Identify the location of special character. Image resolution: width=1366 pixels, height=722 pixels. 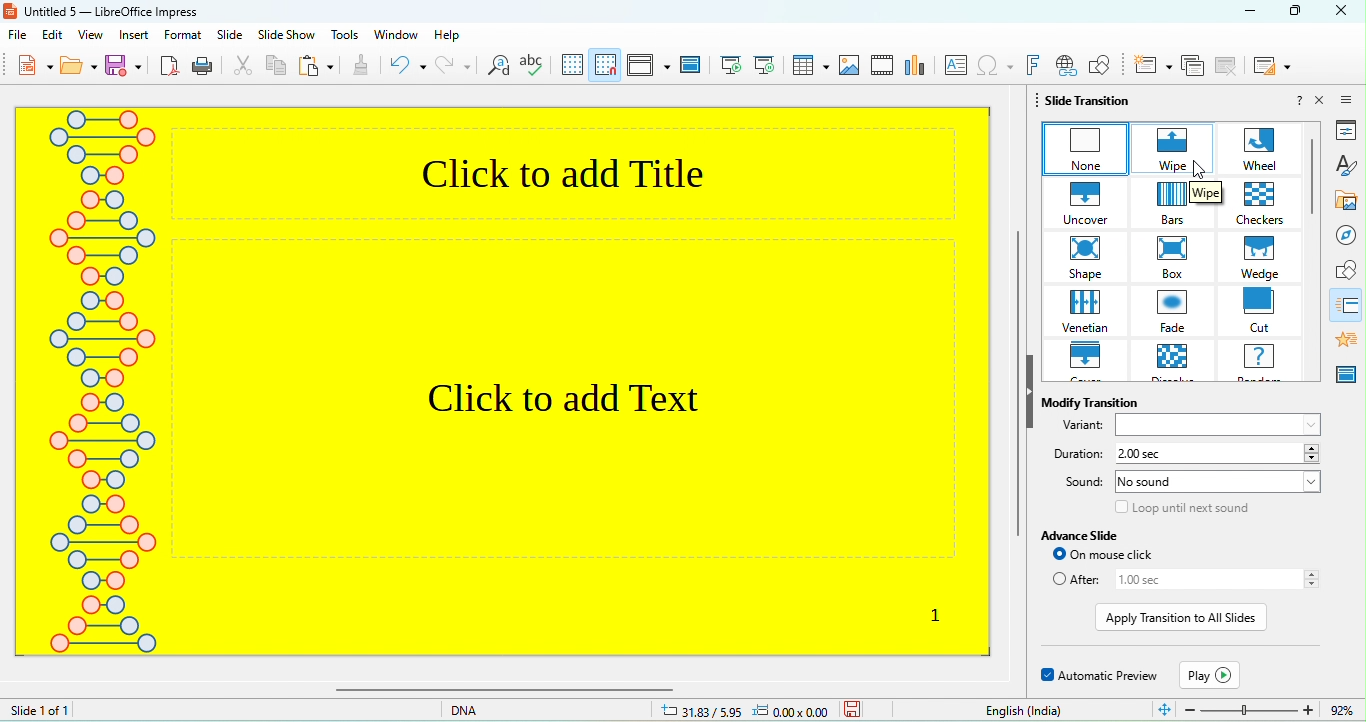
(995, 66).